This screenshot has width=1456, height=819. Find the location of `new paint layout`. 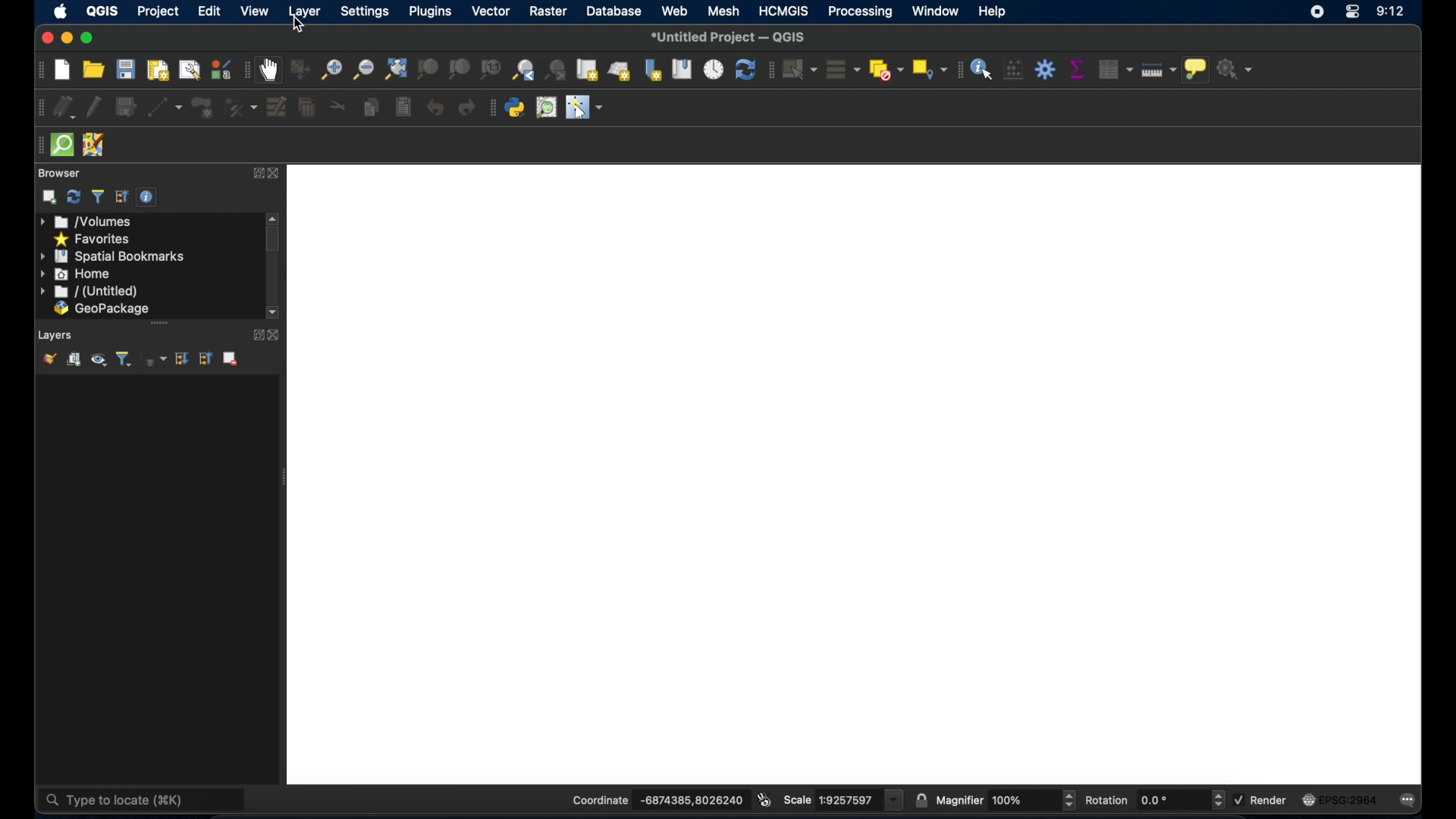

new paint layout is located at coordinates (158, 69).